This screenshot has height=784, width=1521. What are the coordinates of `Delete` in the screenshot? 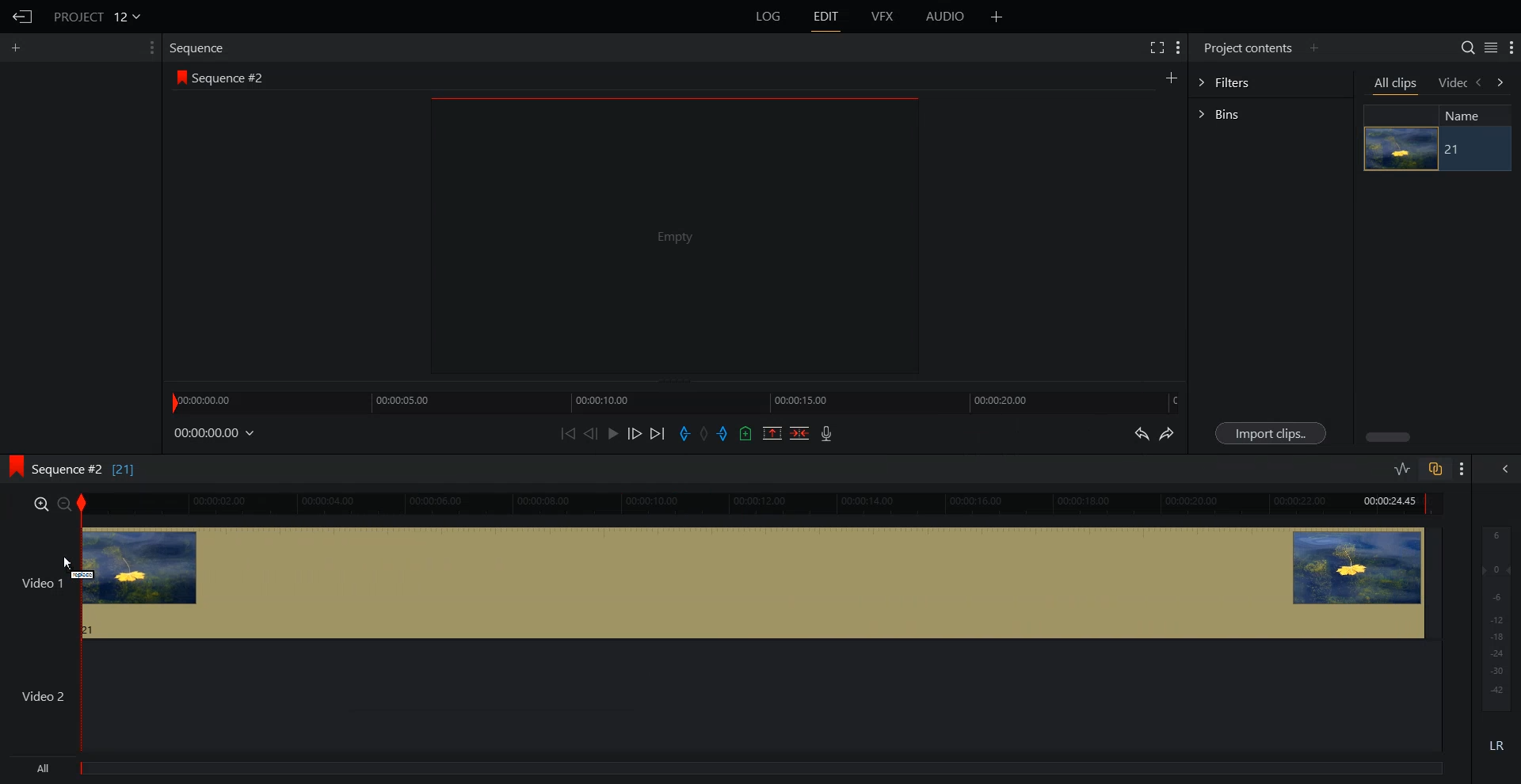 It's located at (799, 432).